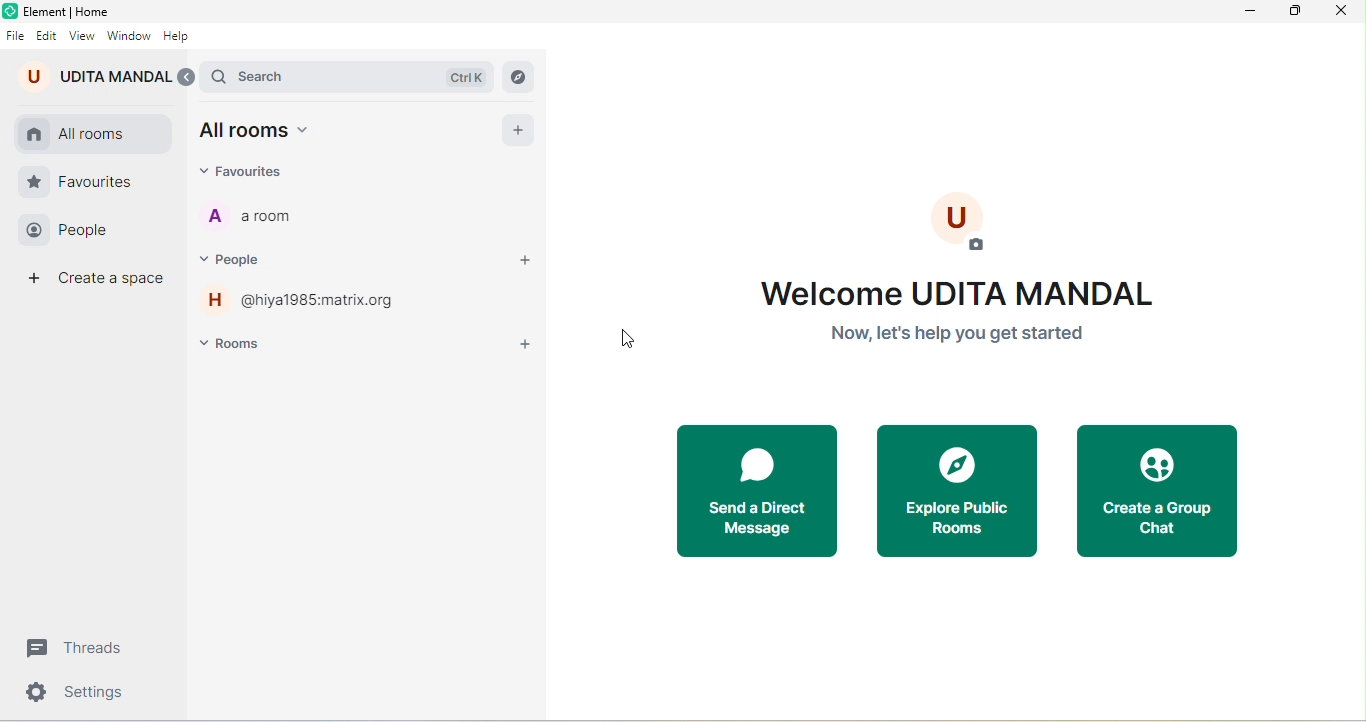 This screenshot has width=1366, height=722. Describe the element at coordinates (16, 35) in the screenshot. I see `file` at that location.